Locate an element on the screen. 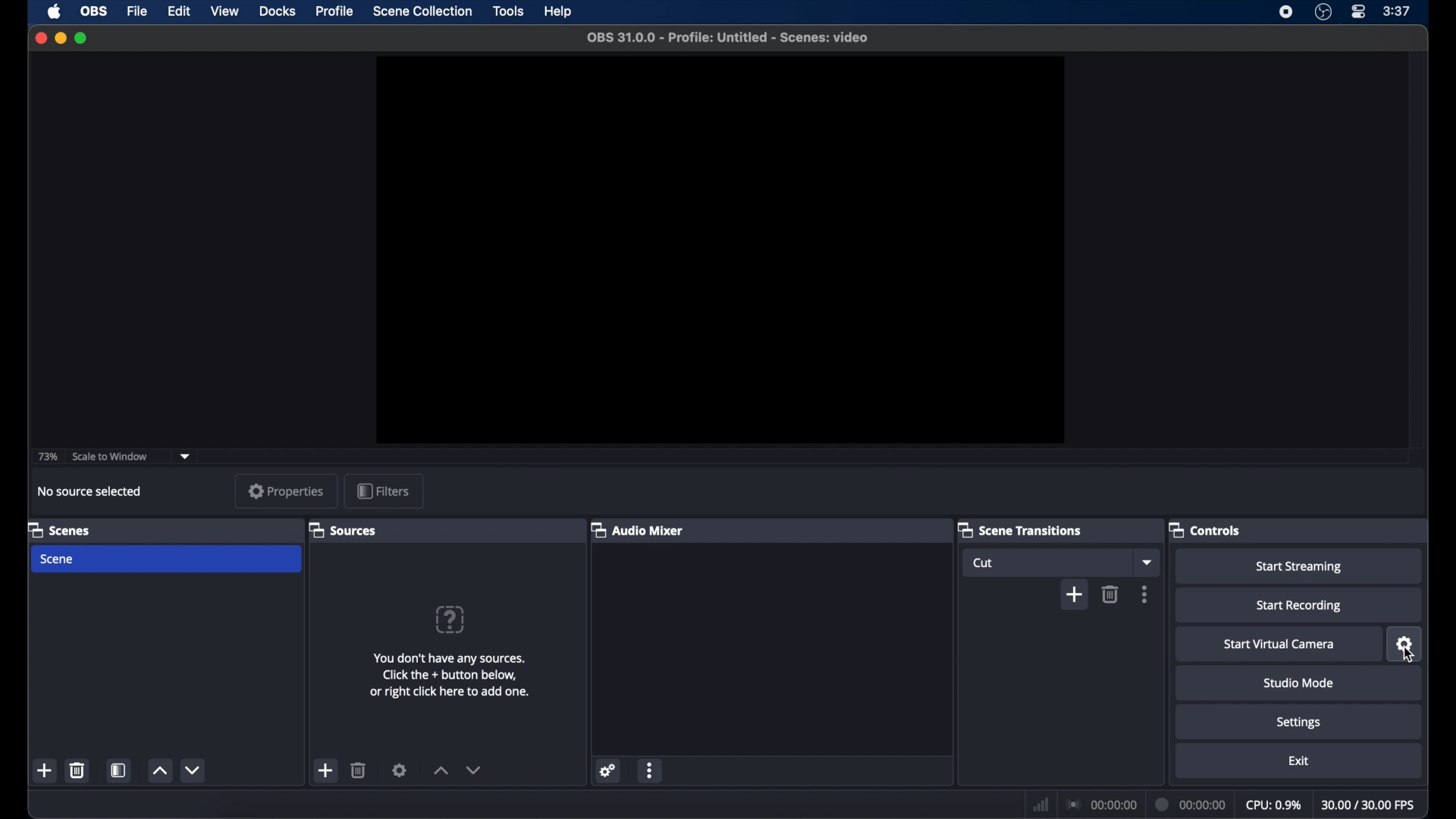 The image size is (1456, 819). time is located at coordinates (1397, 11).